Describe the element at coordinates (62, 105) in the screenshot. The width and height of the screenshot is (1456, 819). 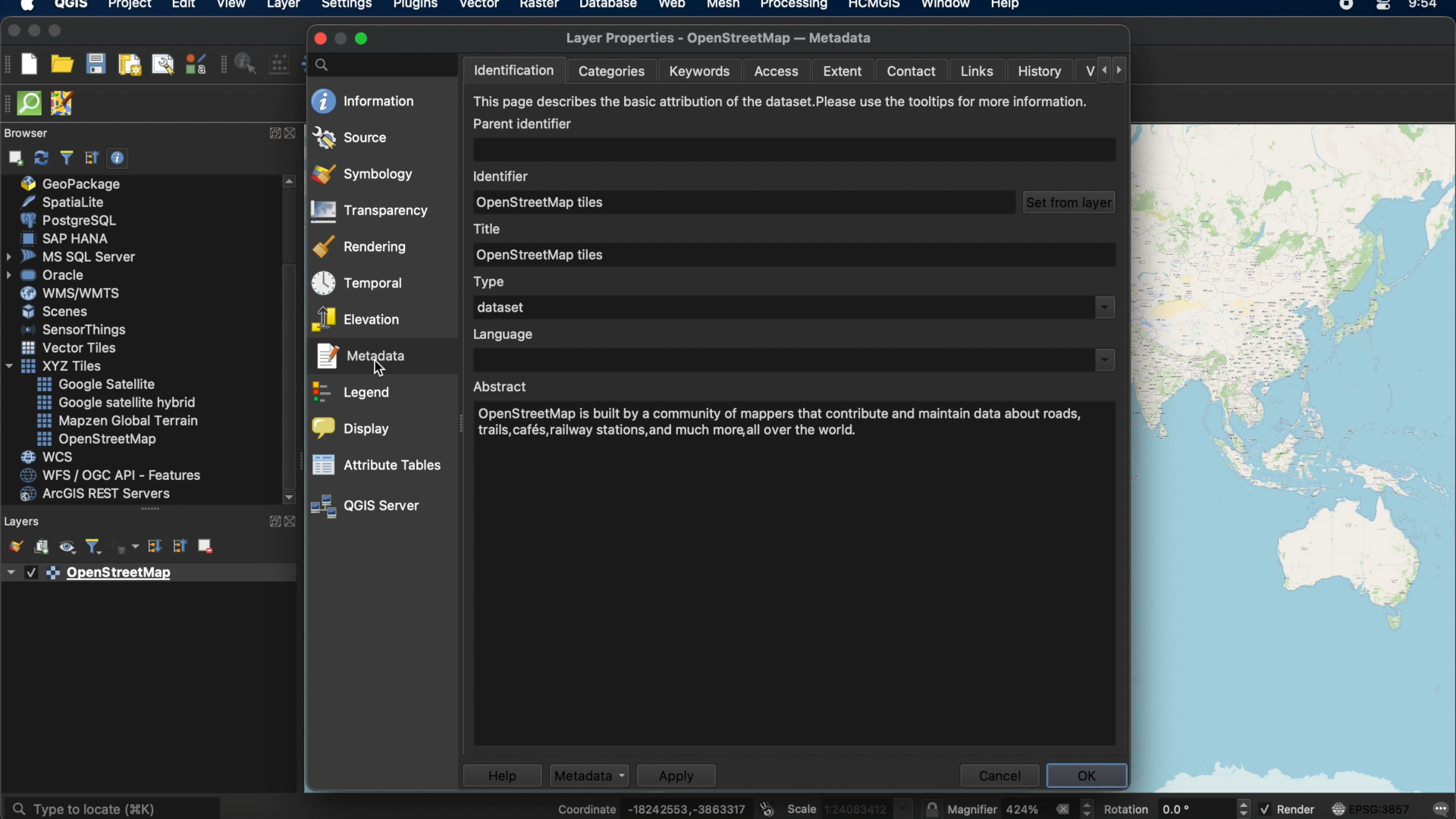
I see `JOSM remote` at that location.